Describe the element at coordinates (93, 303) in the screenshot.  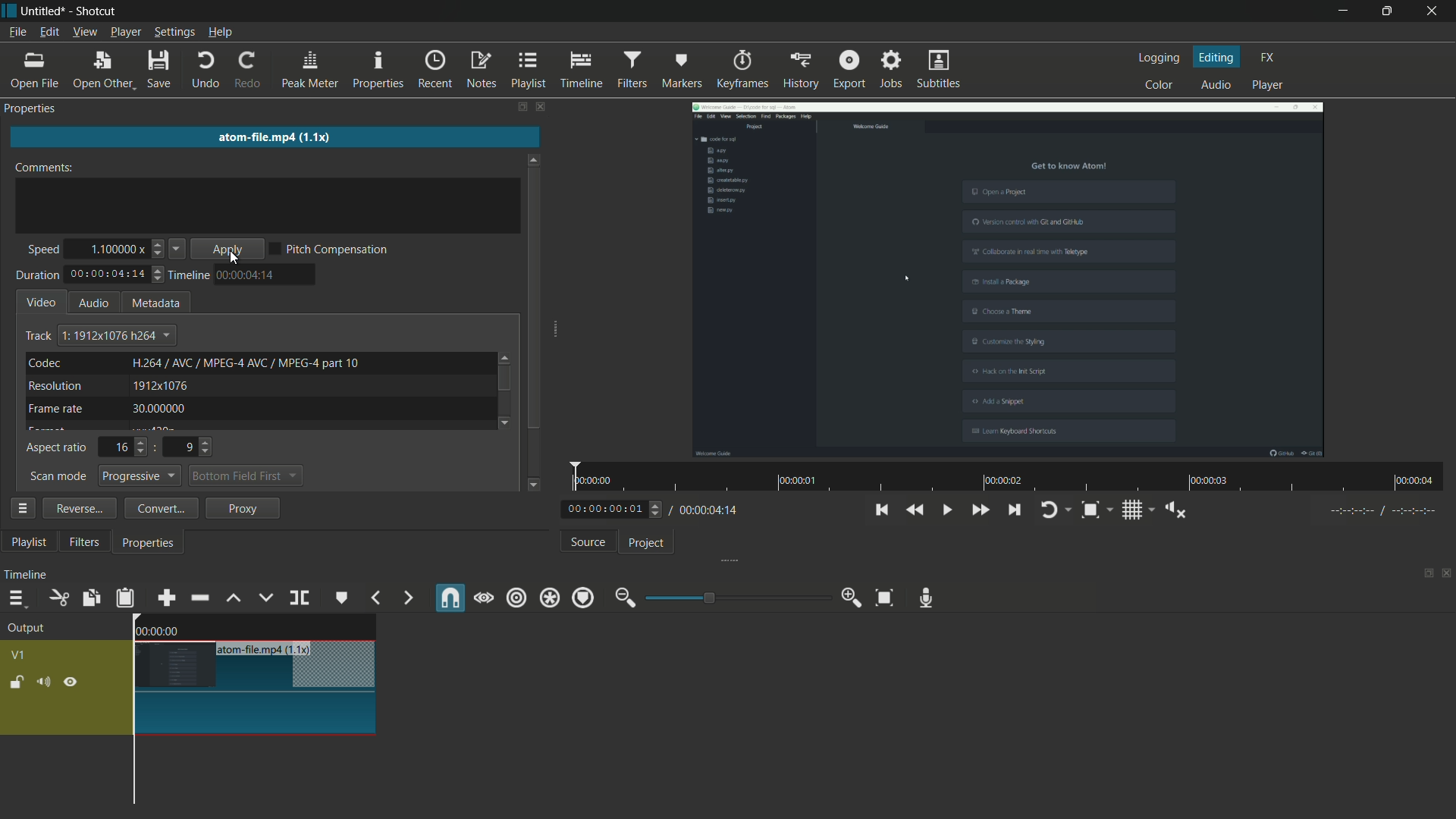
I see `audio` at that location.